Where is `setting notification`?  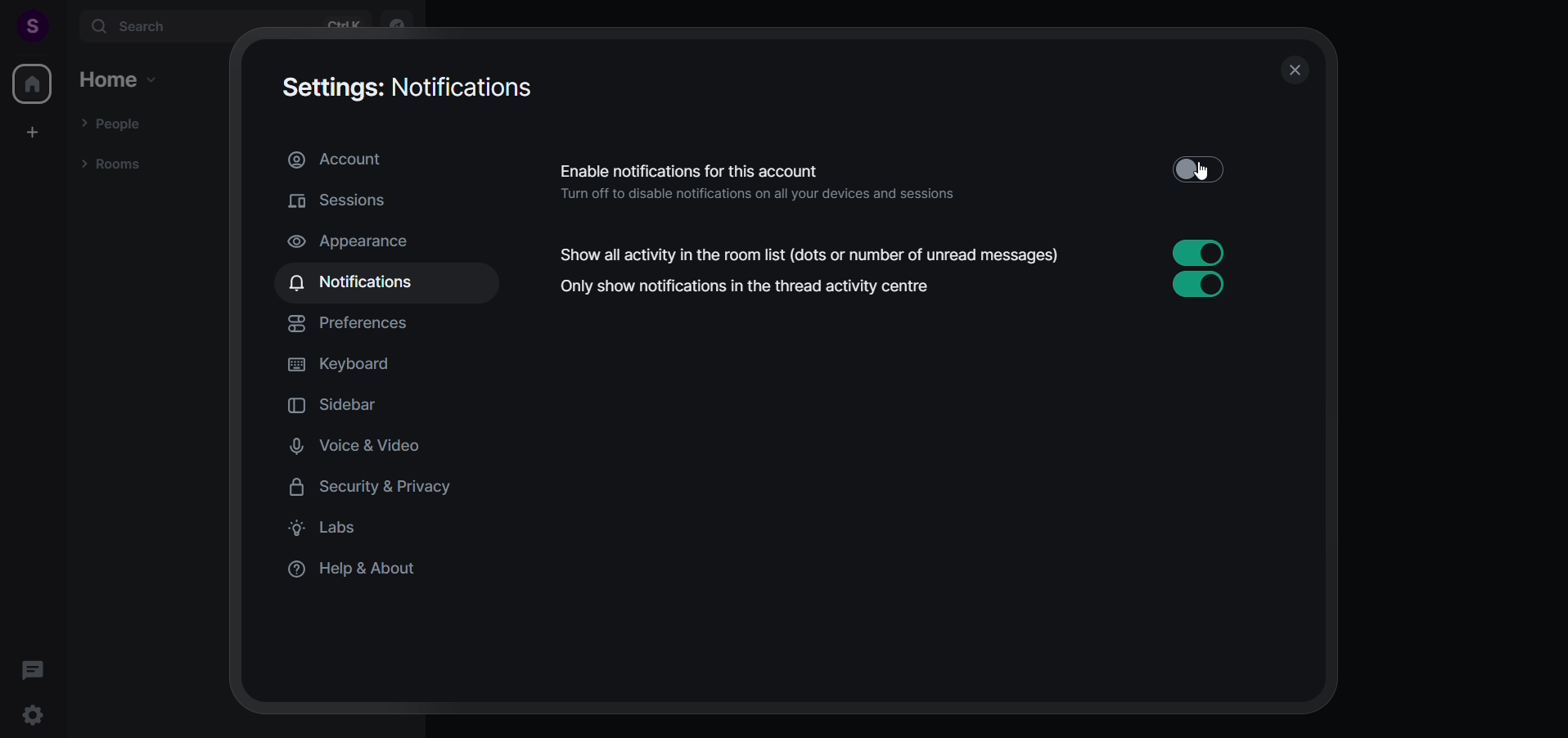
setting notification is located at coordinates (411, 89).